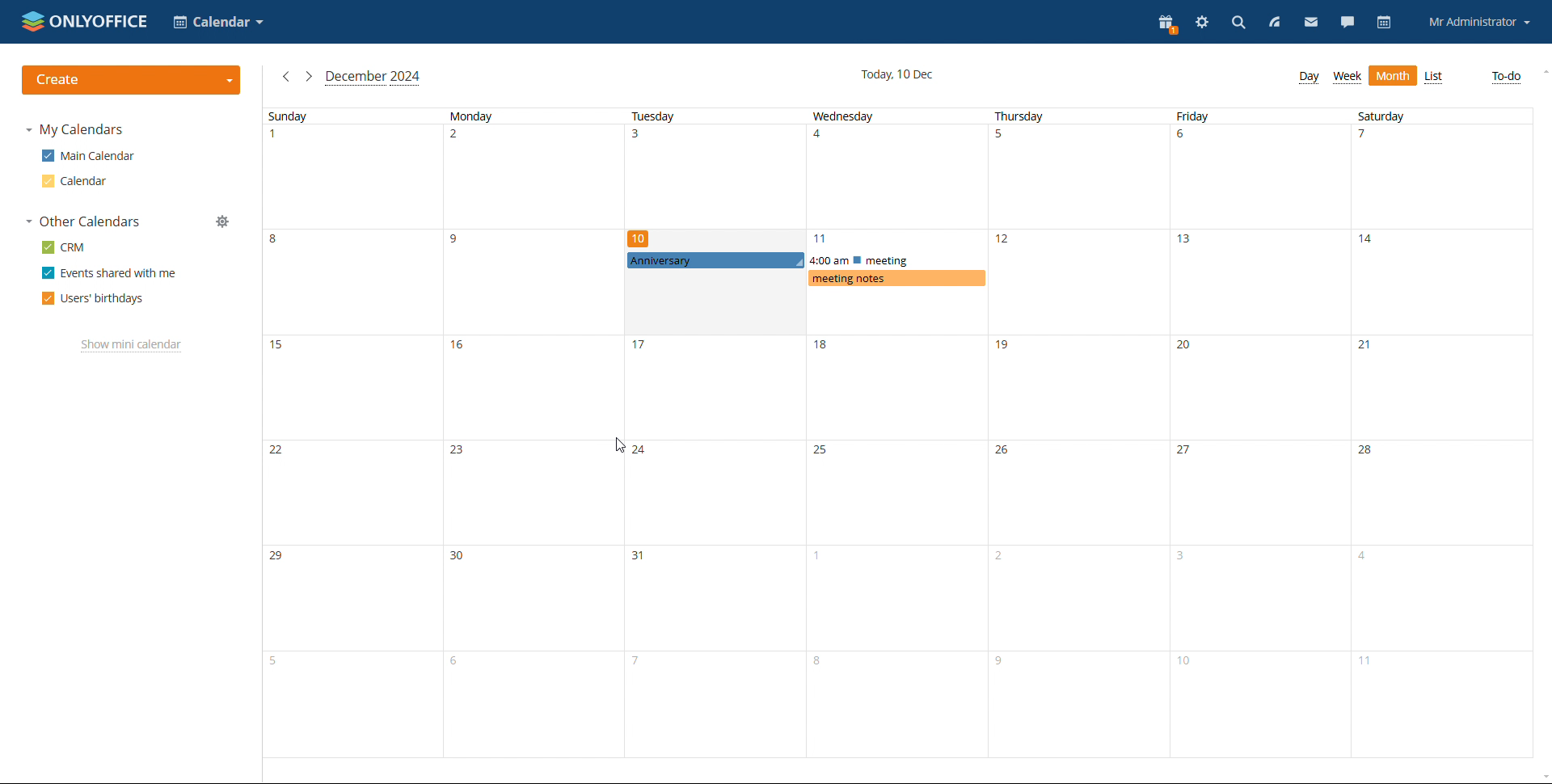 The height and width of the screenshot is (784, 1552). What do you see at coordinates (309, 76) in the screenshot?
I see `next month` at bounding box center [309, 76].